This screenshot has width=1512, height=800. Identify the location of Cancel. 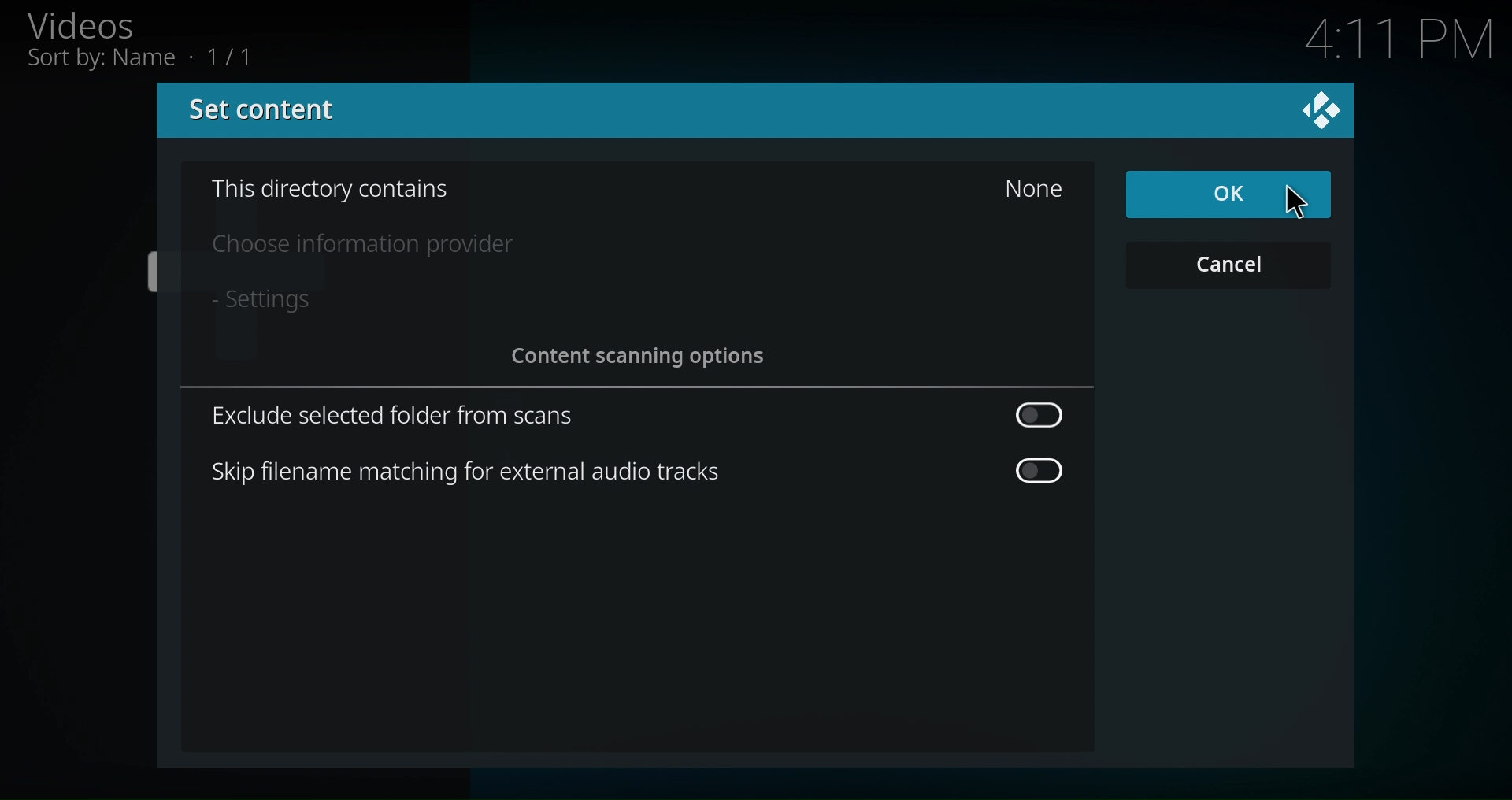
(1225, 263).